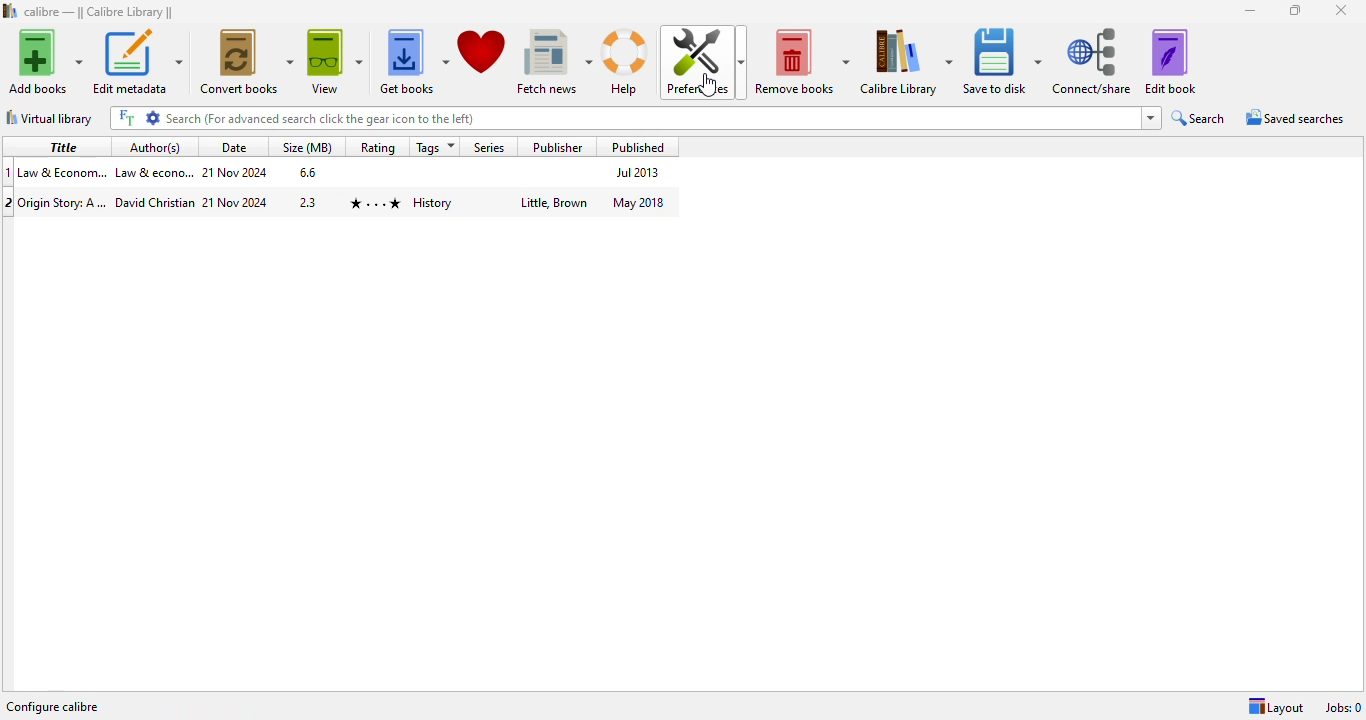  Describe the element at coordinates (49, 118) in the screenshot. I see `virtual library` at that location.